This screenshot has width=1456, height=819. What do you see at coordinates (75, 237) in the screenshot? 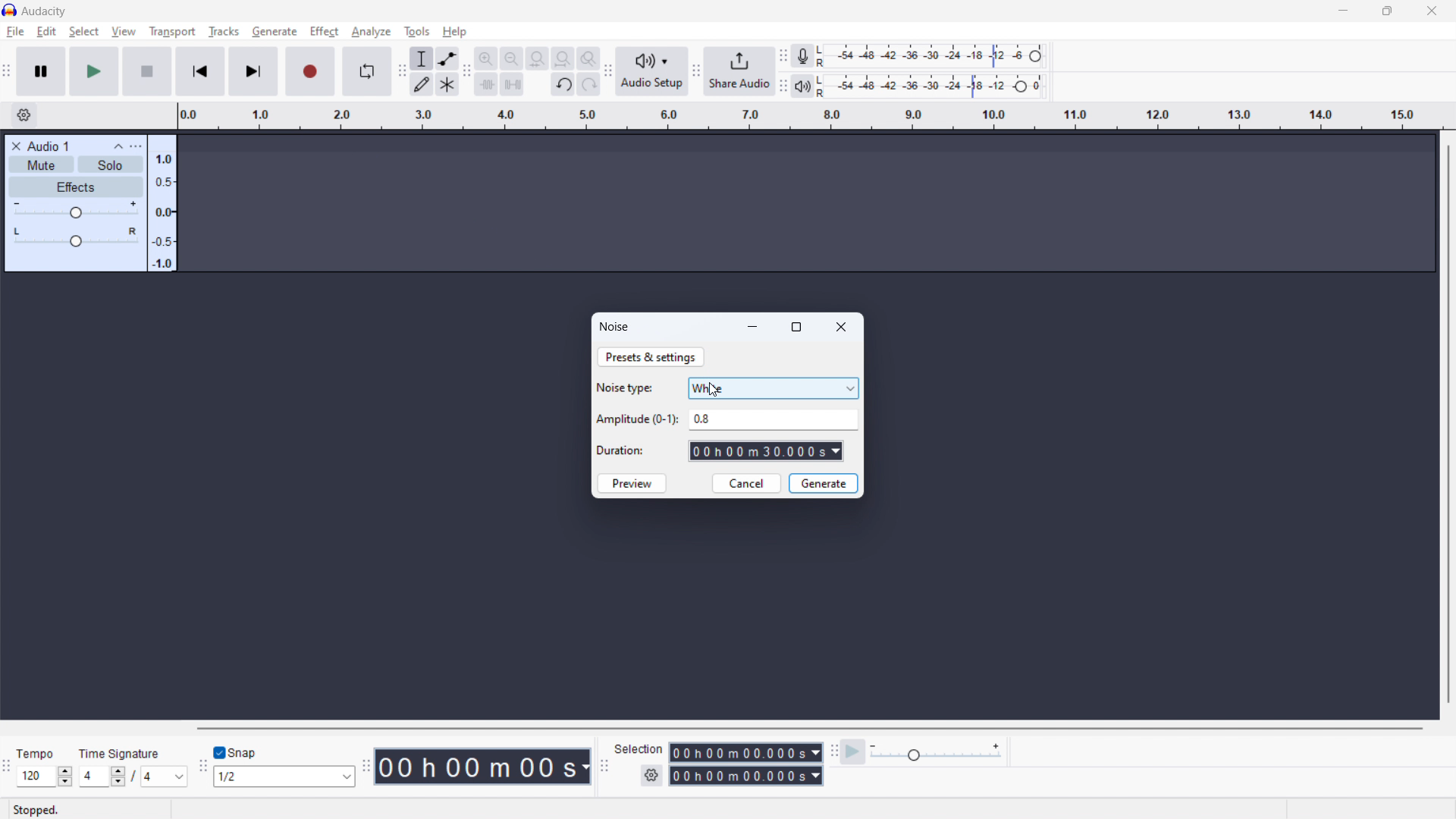
I see `pan` at bounding box center [75, 237].